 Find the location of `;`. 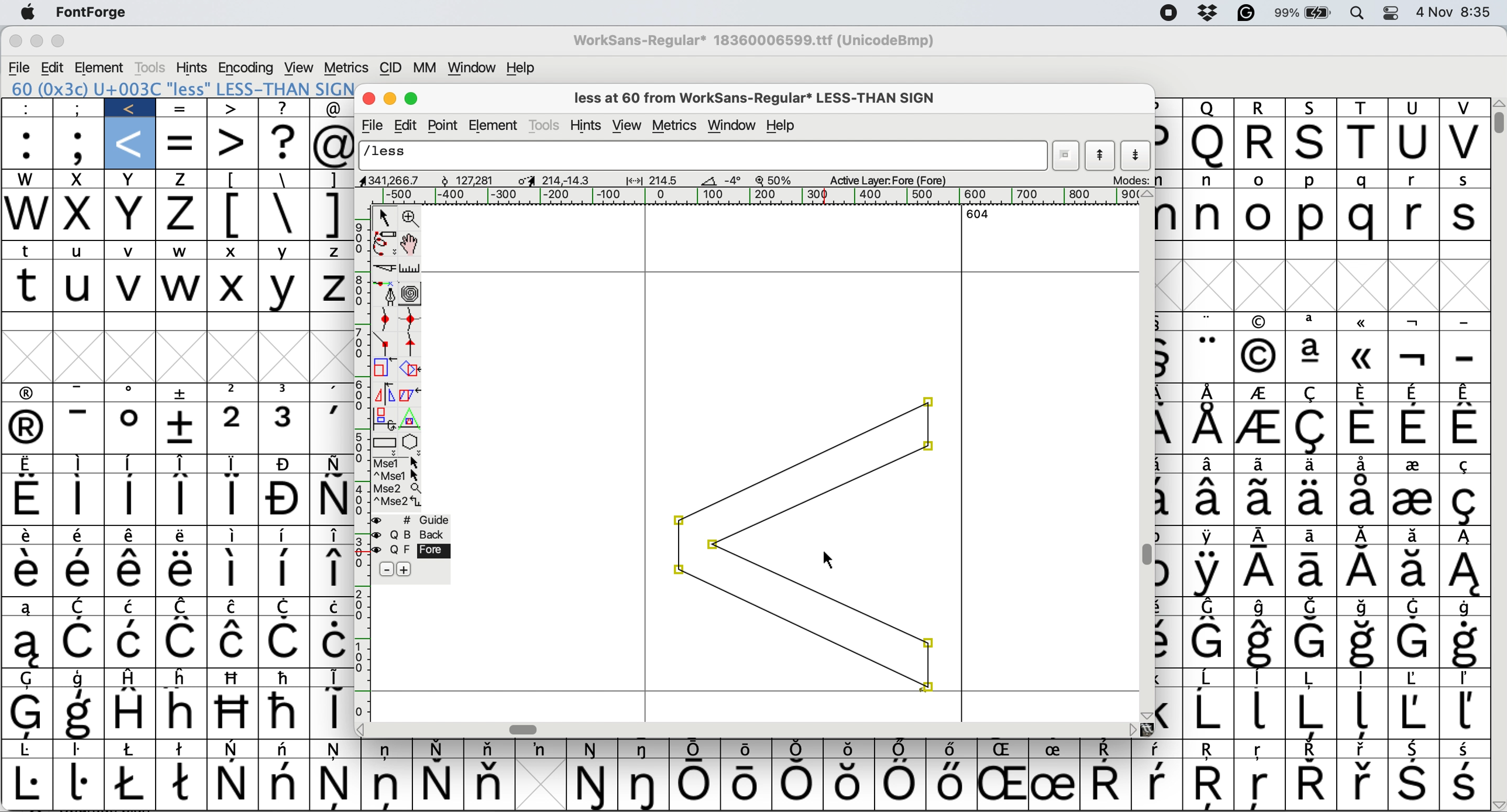

; is located at coordinates (78, 108).